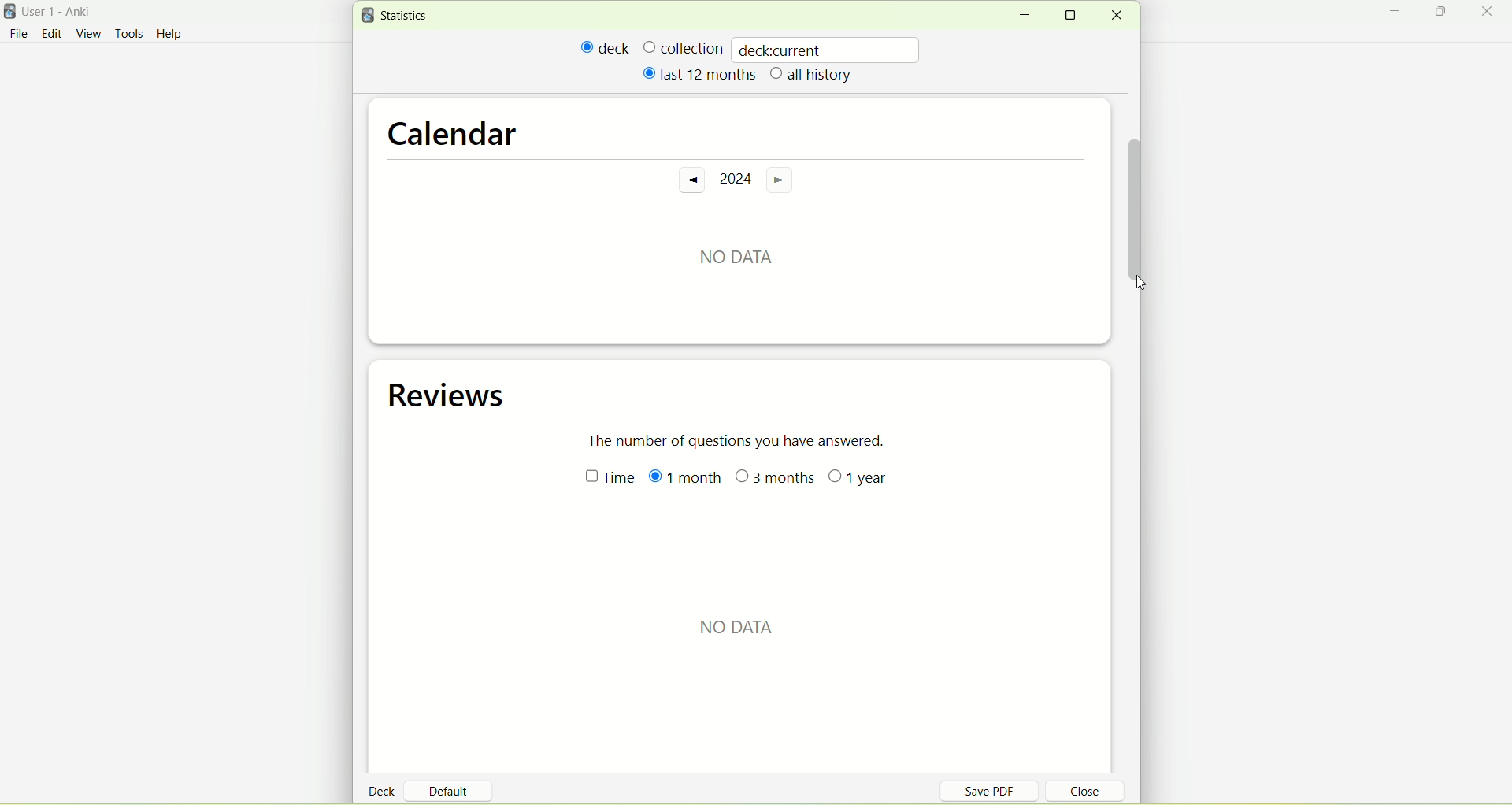  I want to click on Help, so click(169, 36).